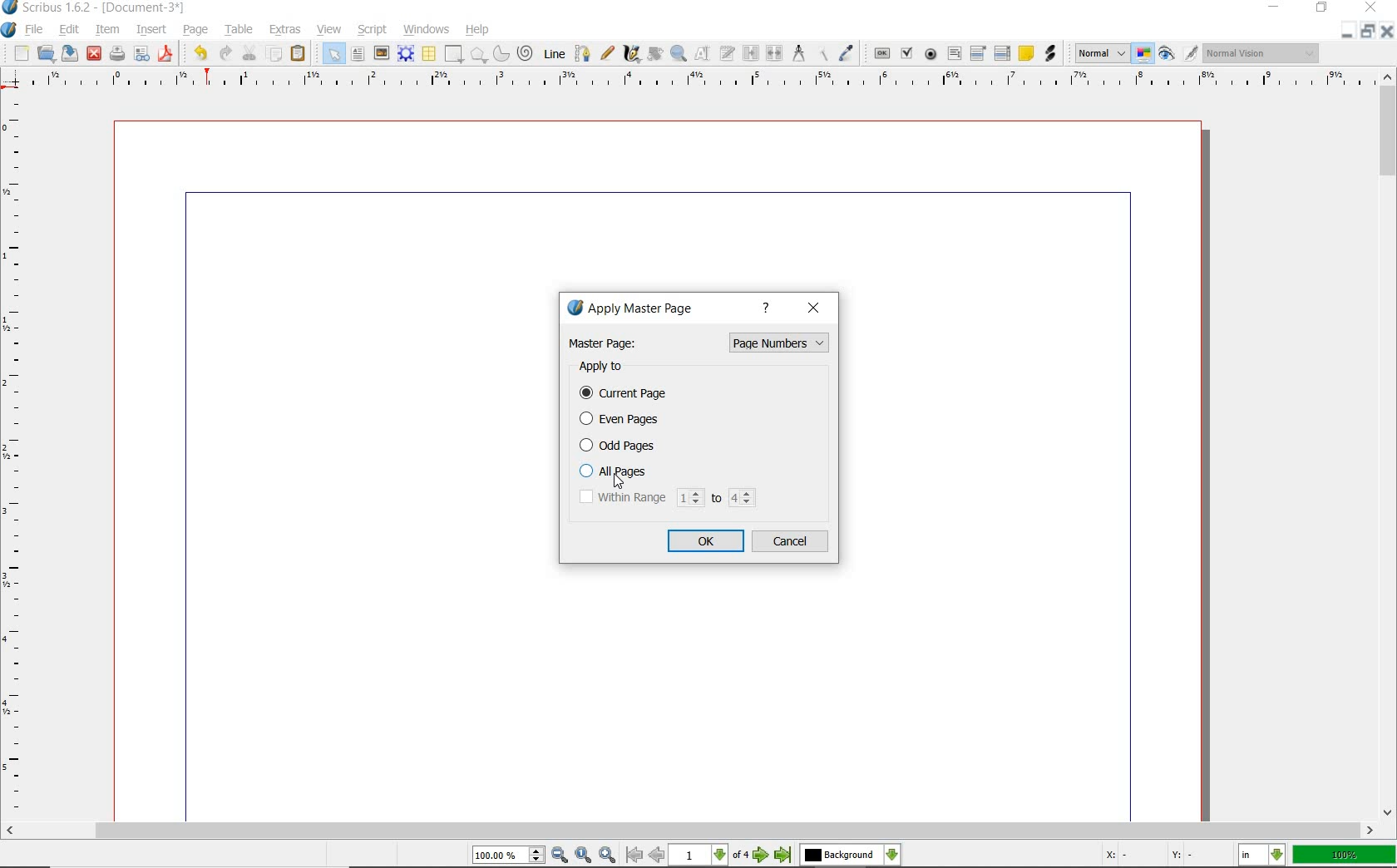 The height and width of the screenshot is (868, 1397). Describe the element at coordinates (95, 53) in the screenshot. I see `close` at that location.